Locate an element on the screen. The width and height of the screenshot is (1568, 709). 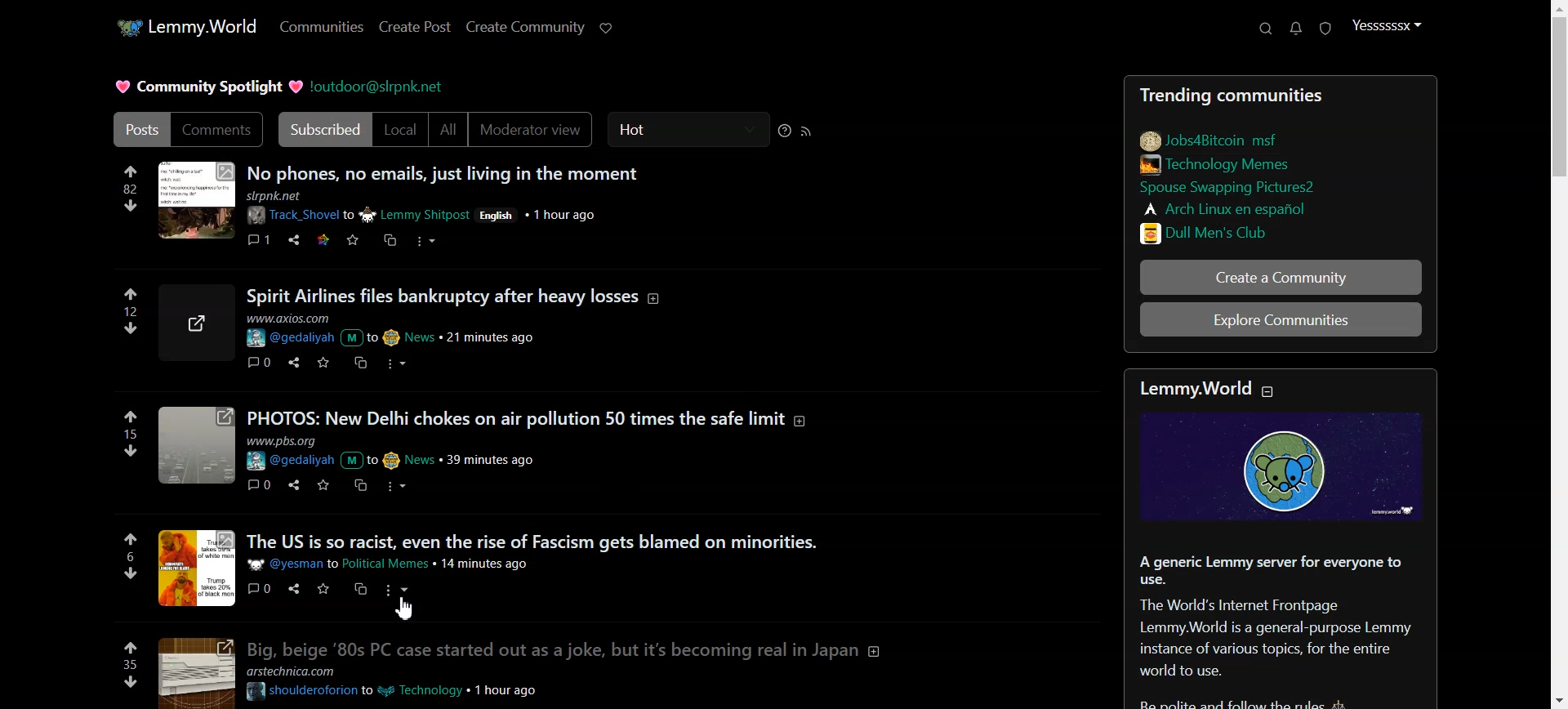
more is located at coordinates (428, 243).